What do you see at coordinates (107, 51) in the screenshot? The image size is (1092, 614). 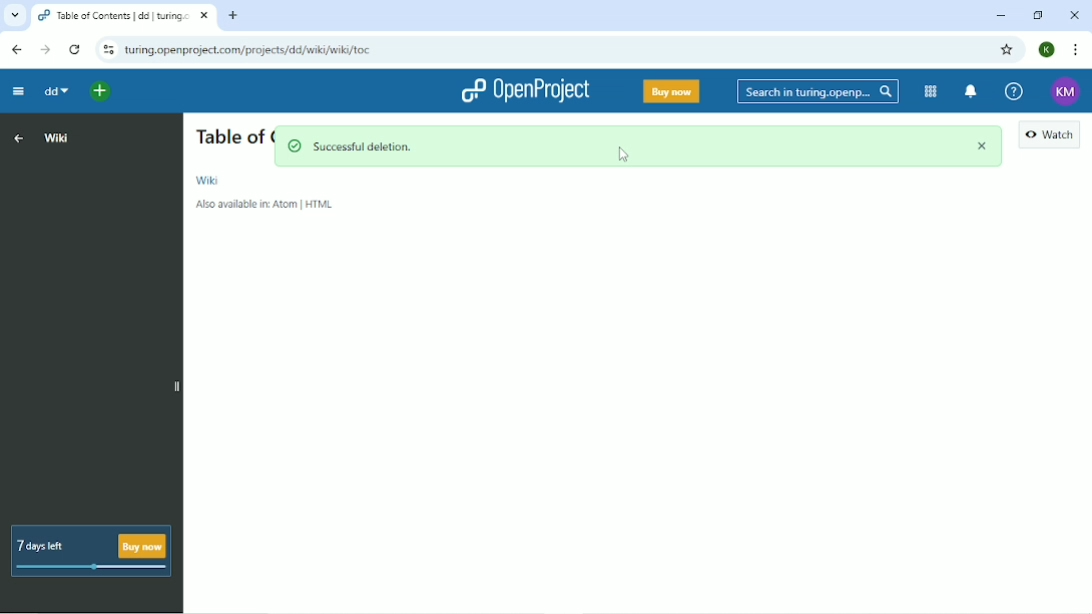 I see `View site information` at bounding box center [107, 51].